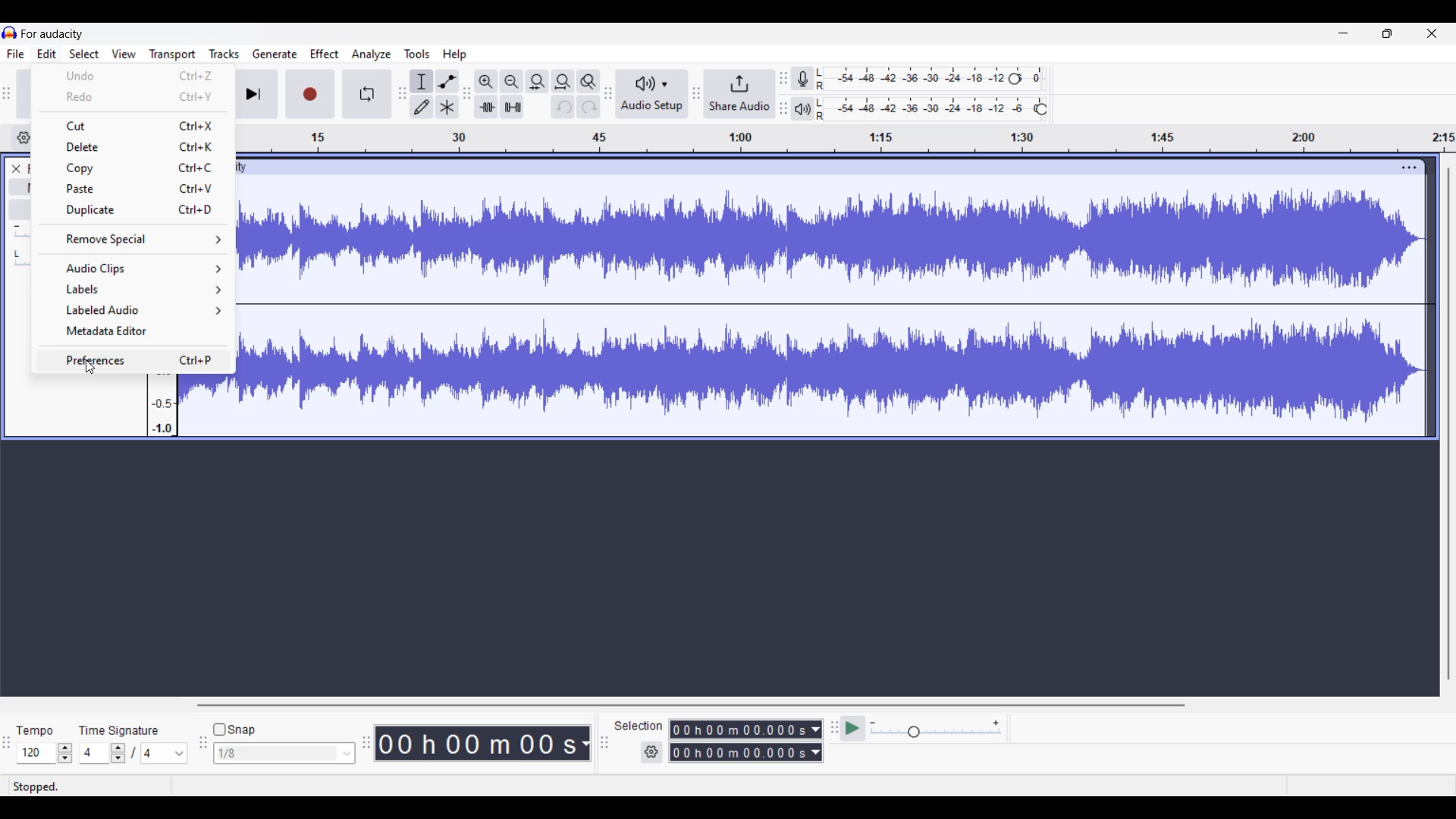  Describe the element at coordinates (134, 146) in the screenshot. I see `Delete` at that location.